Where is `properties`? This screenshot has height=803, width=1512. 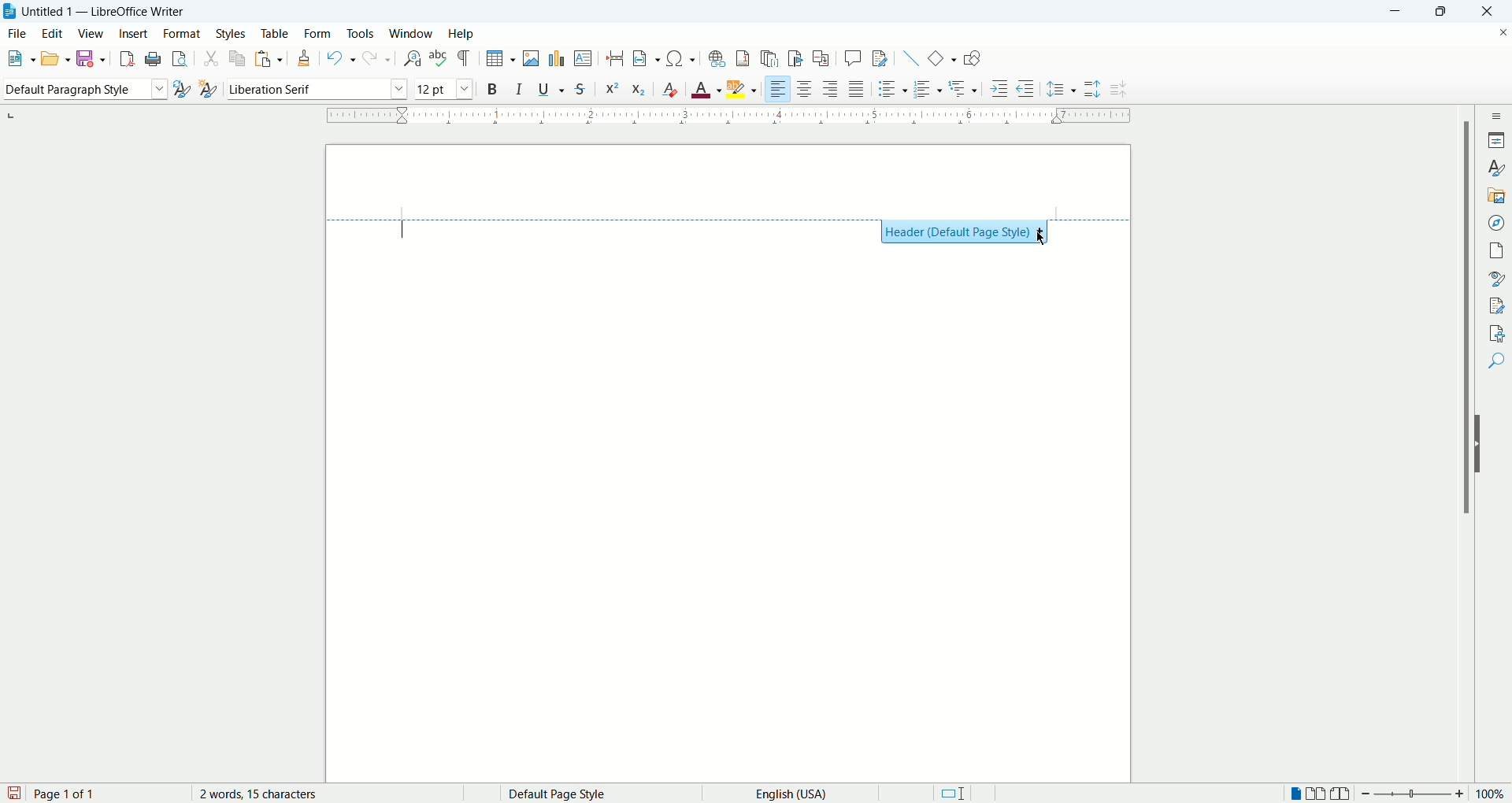
properties is located at coordinates (1497, 139).